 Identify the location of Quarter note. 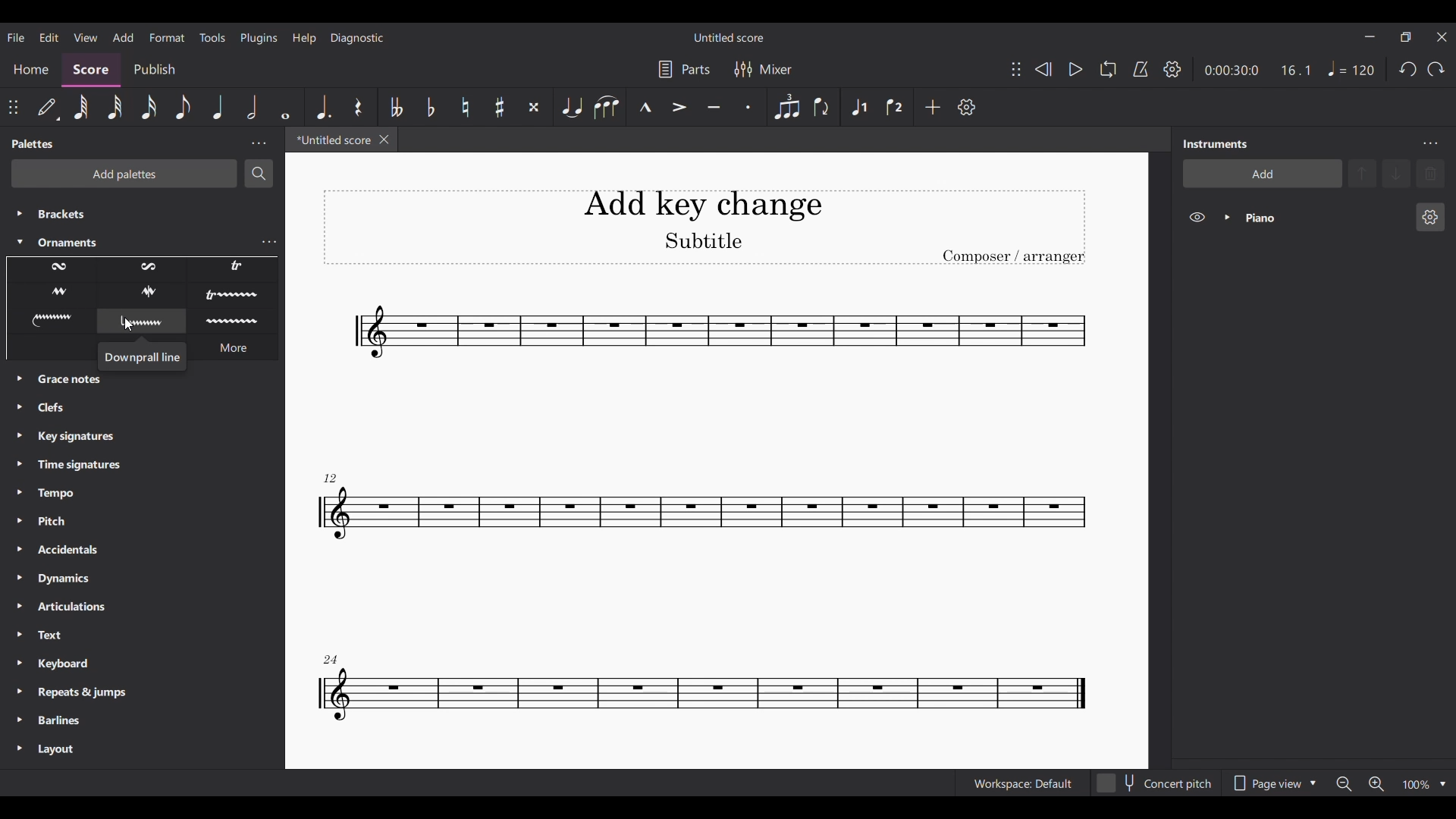
(218, 106).